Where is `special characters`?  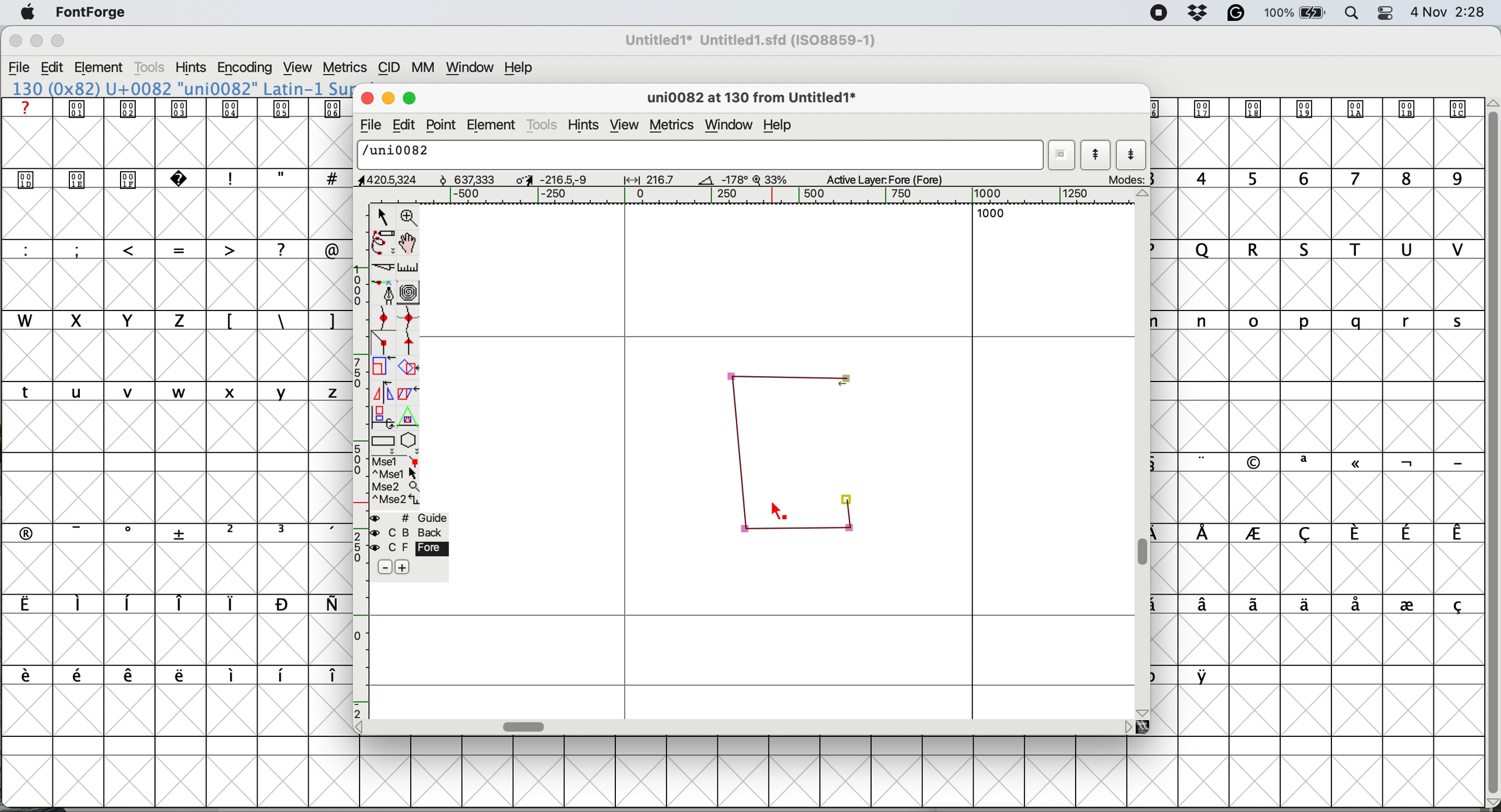 special characters is located at coordinates (177, 249).